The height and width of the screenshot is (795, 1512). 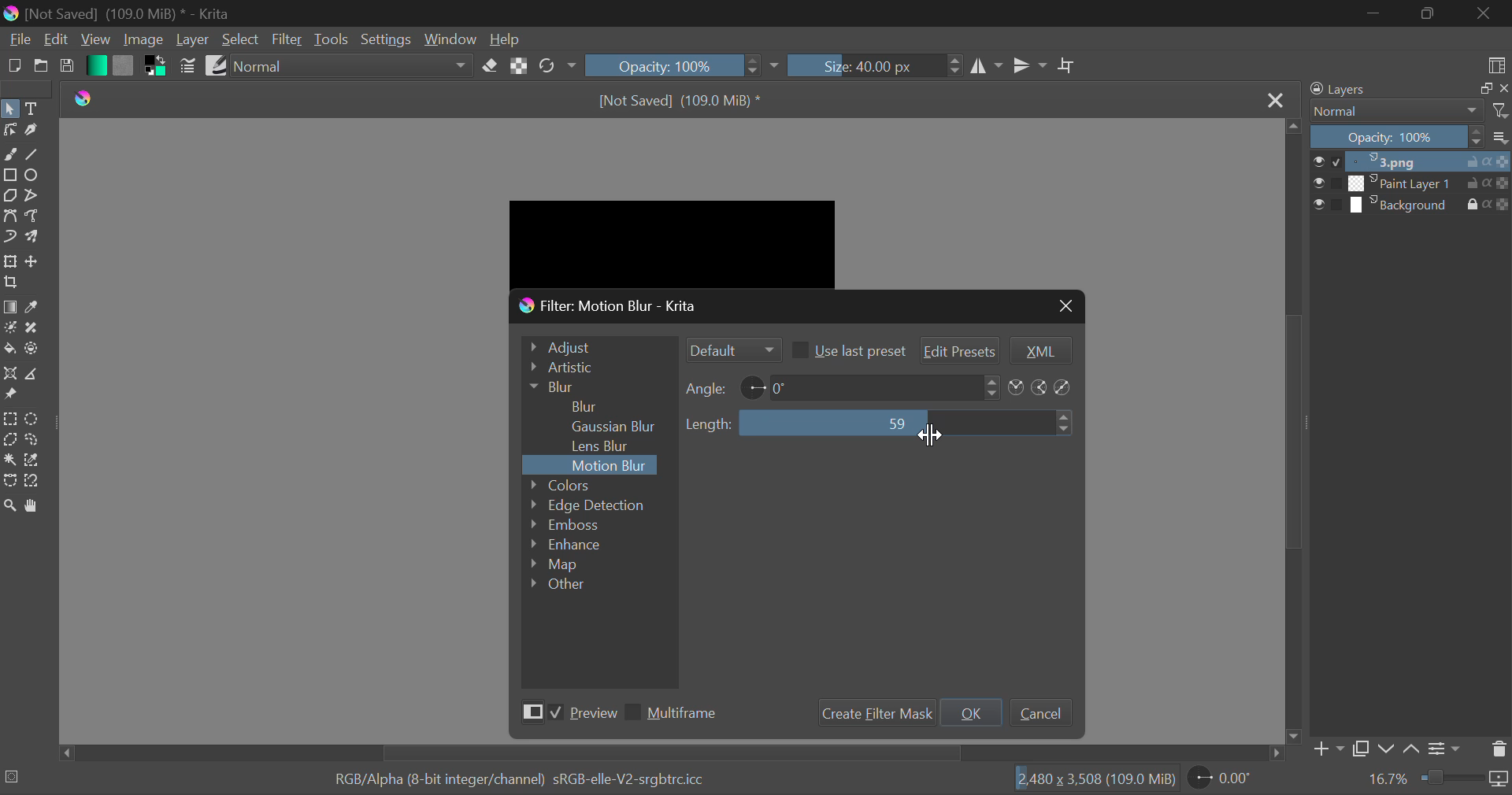 What do you see at coordinates (506, 776) in the screenshot?
I see `RGB/Alpha (8-bit integer/channel) sRGB-elle-V2-srgbtrc.icc` at bounding box center [506, 776].